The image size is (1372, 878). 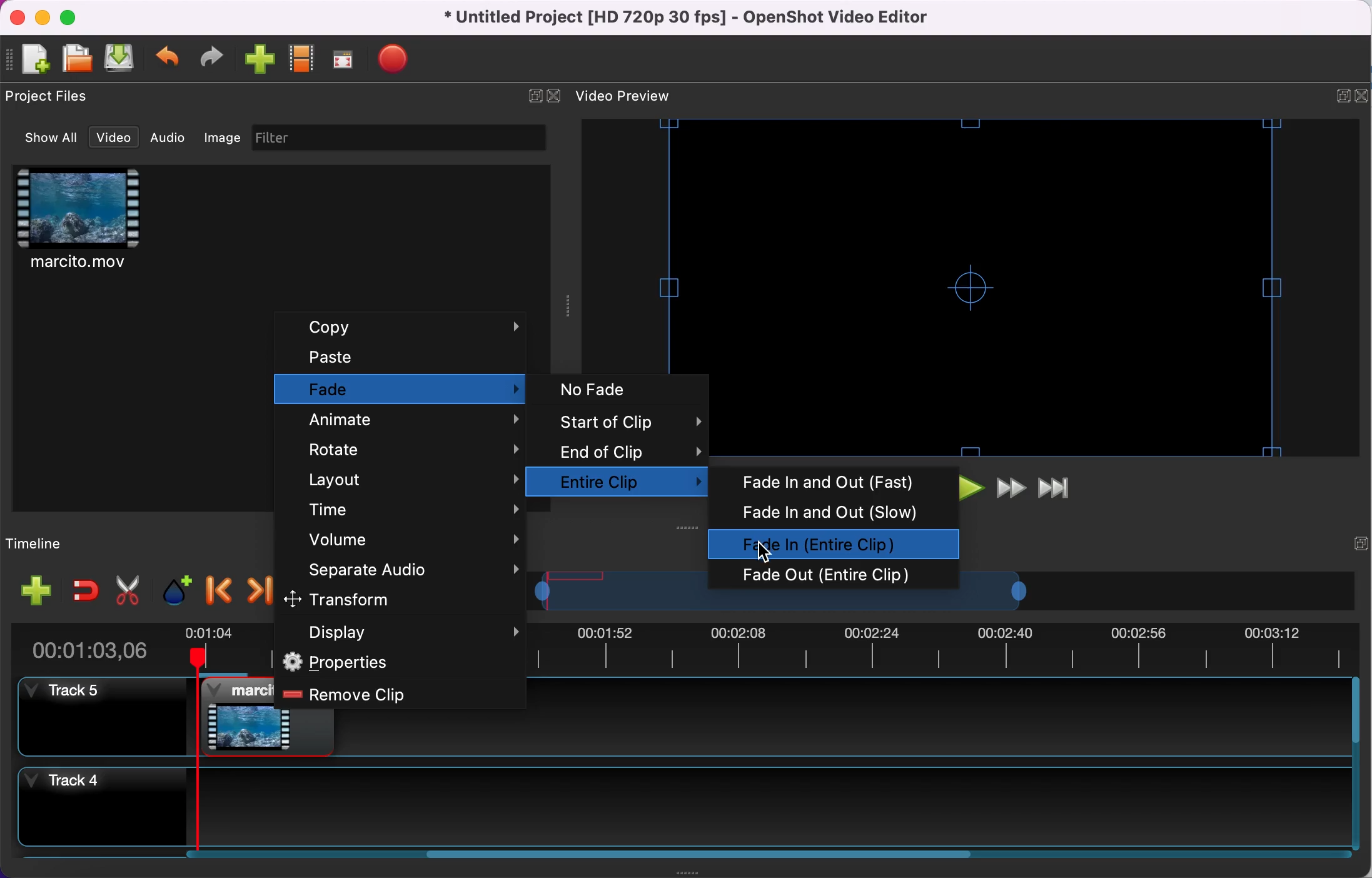 What do you see at coordinates (753, 805) in the screenshot?
I see `timeline` at bounding box center [753, 805].